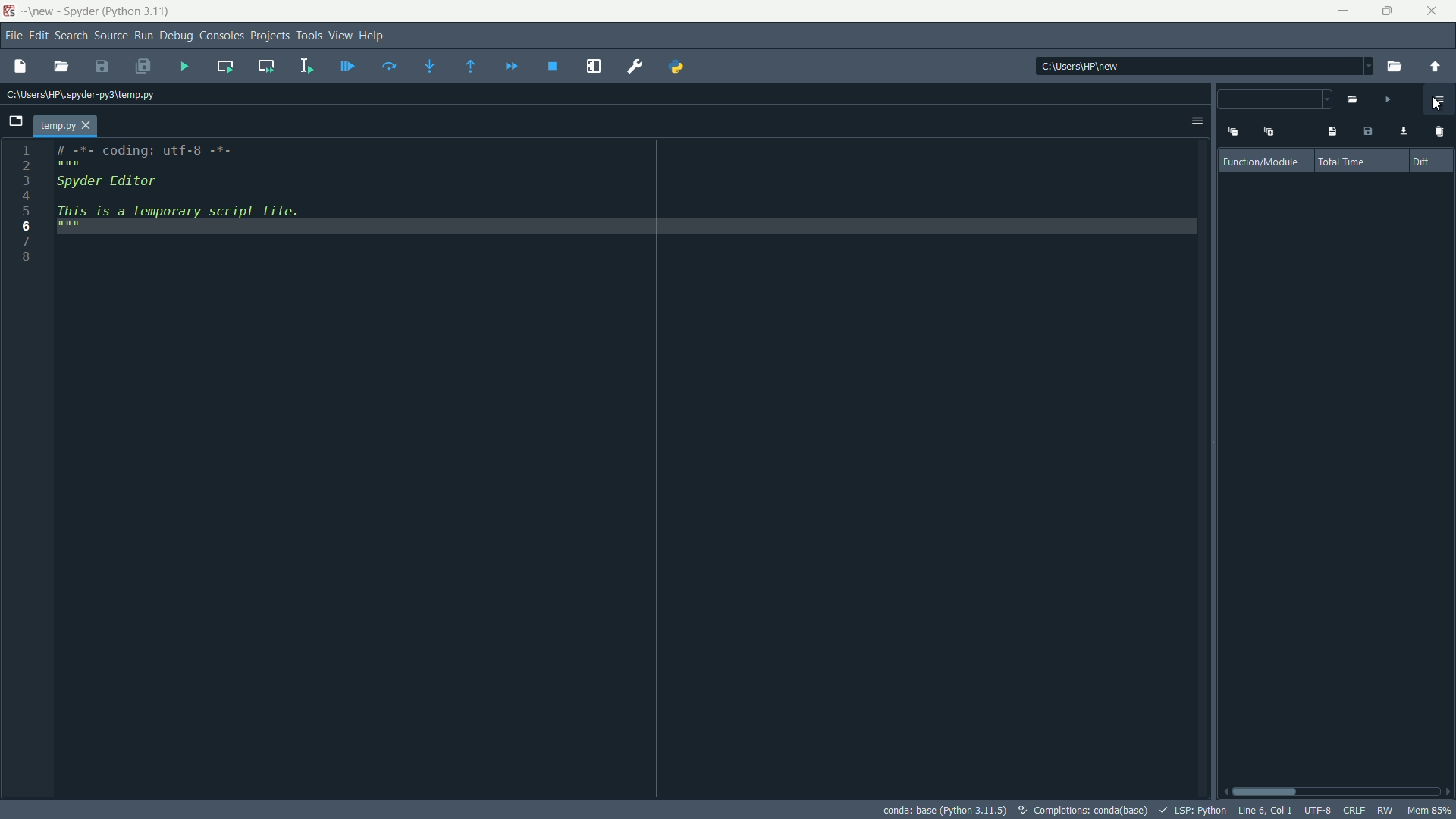  I want to click on run file, so click(184, 65).